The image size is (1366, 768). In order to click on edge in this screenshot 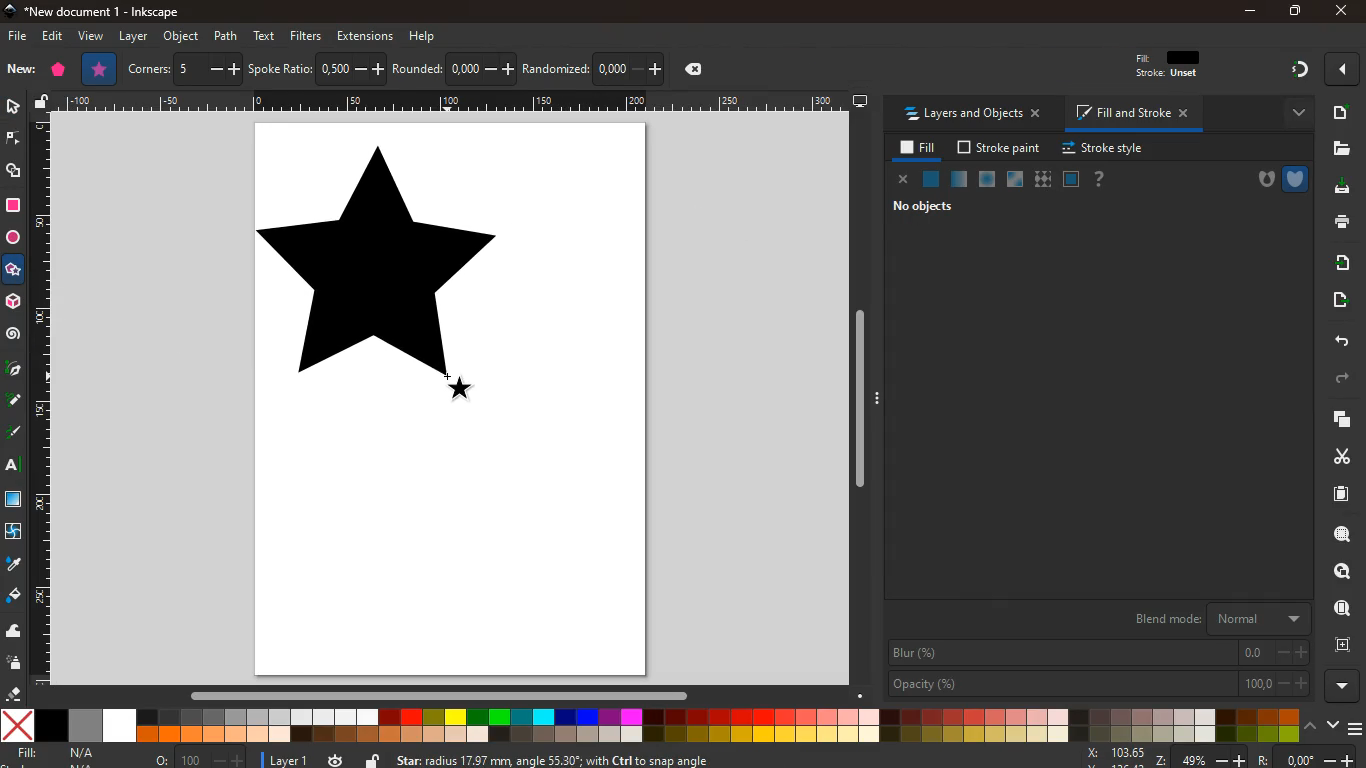, I will do `click(13, 139)`.